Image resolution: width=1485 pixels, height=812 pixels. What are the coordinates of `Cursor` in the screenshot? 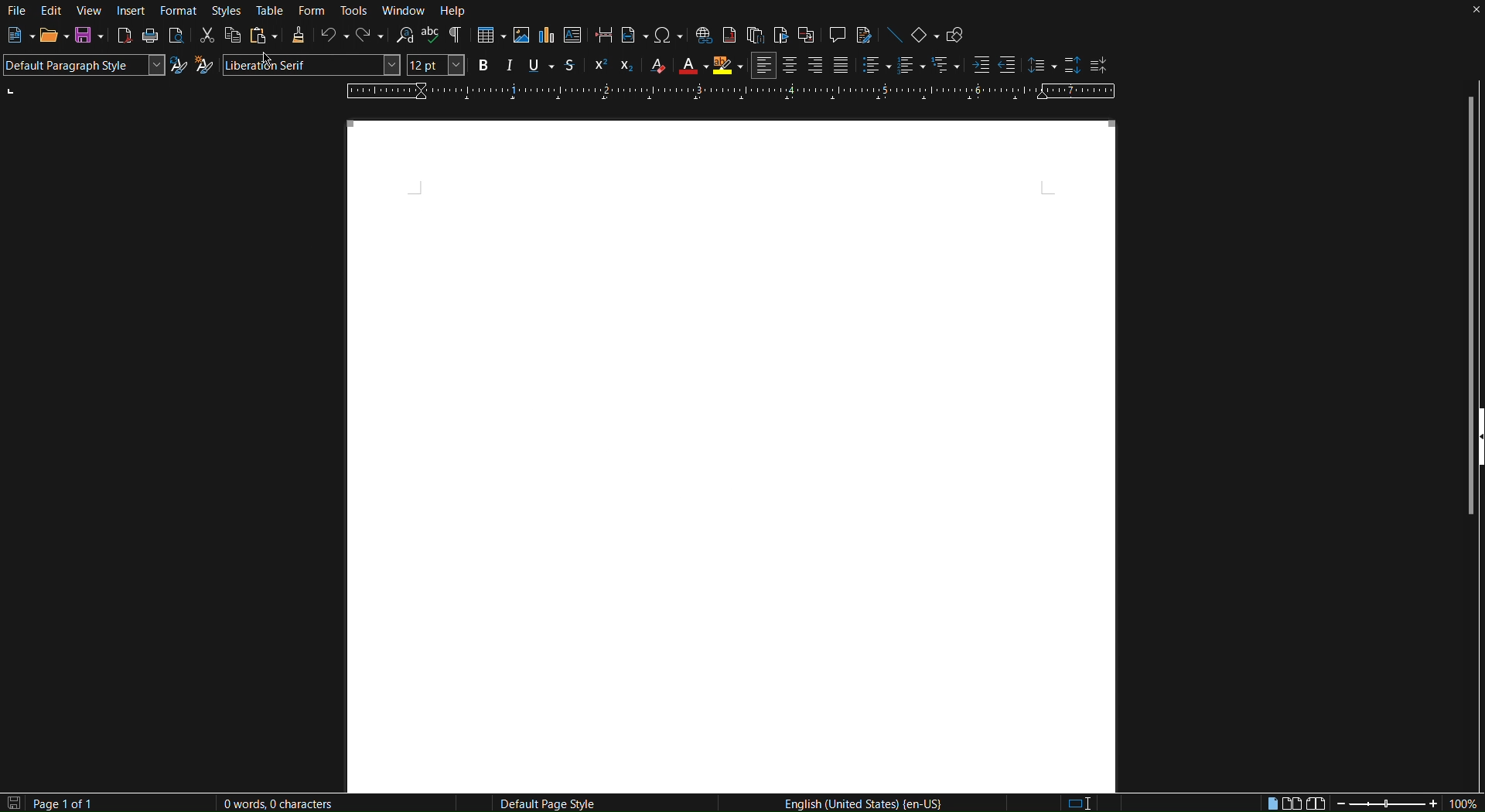 It's located at (282, 68).